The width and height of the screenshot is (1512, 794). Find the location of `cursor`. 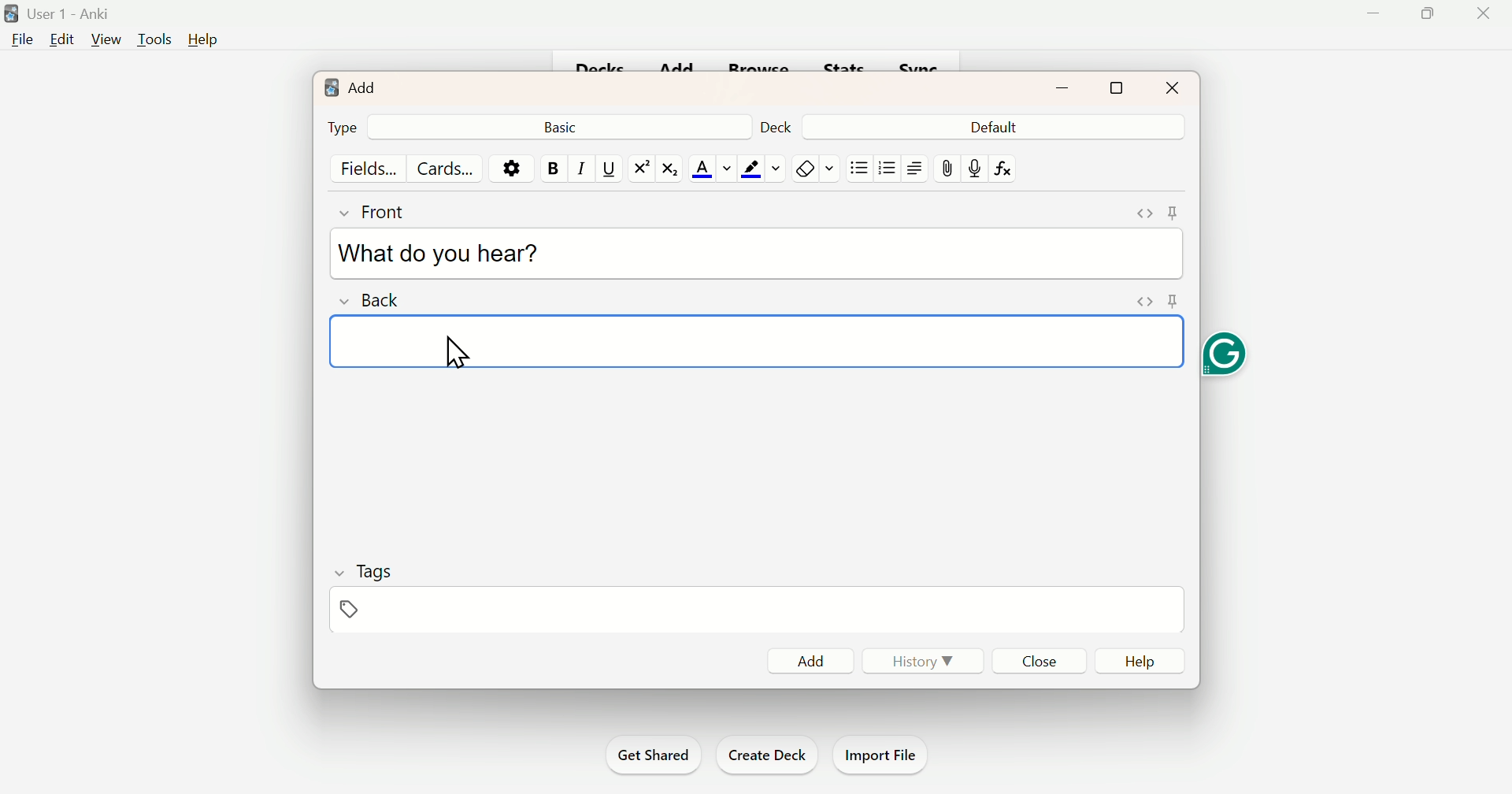

cursor is located at coordinates (471, 352).